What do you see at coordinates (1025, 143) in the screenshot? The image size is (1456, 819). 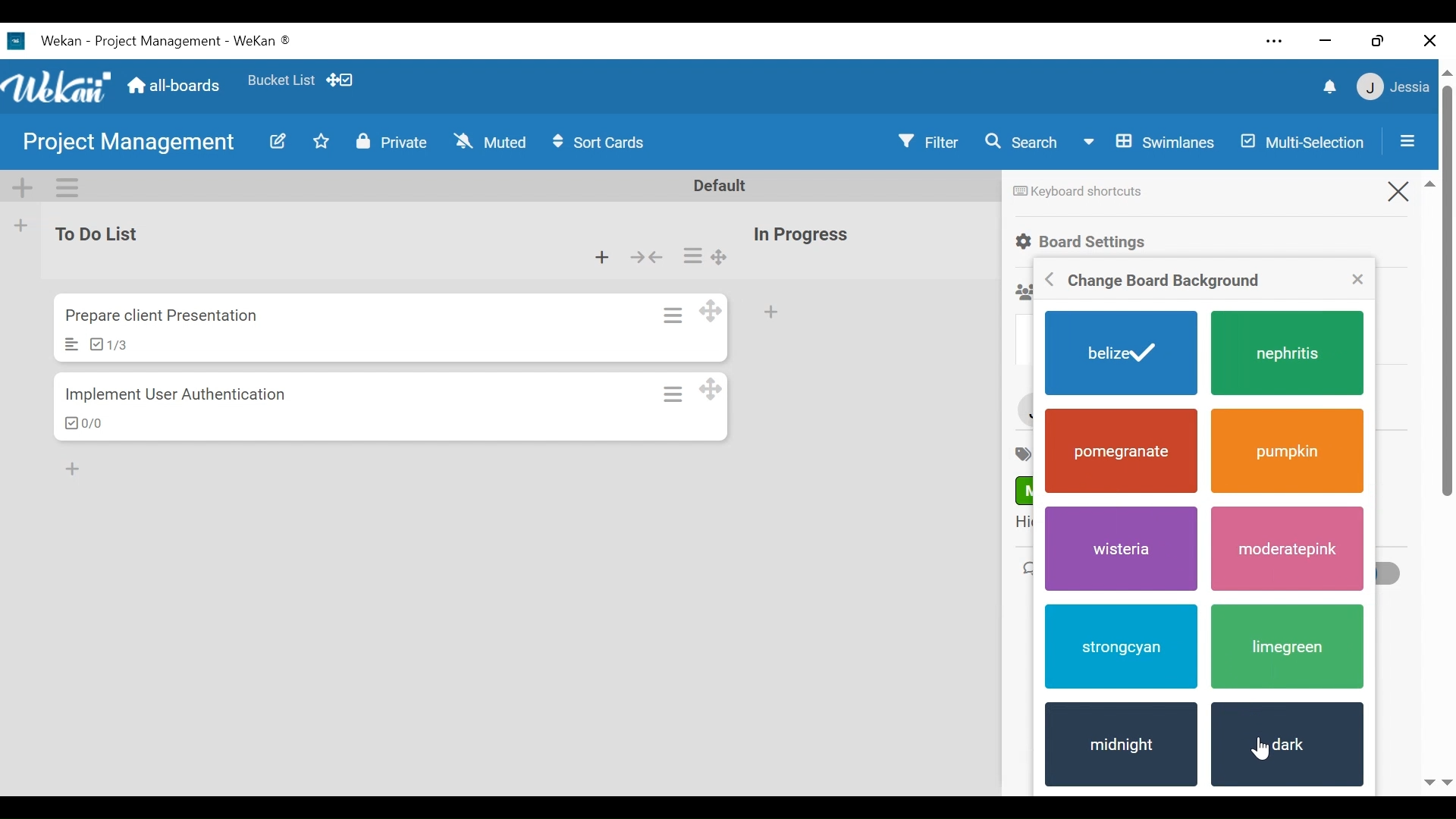 I see `Search` at bounding box center [1025, 143].